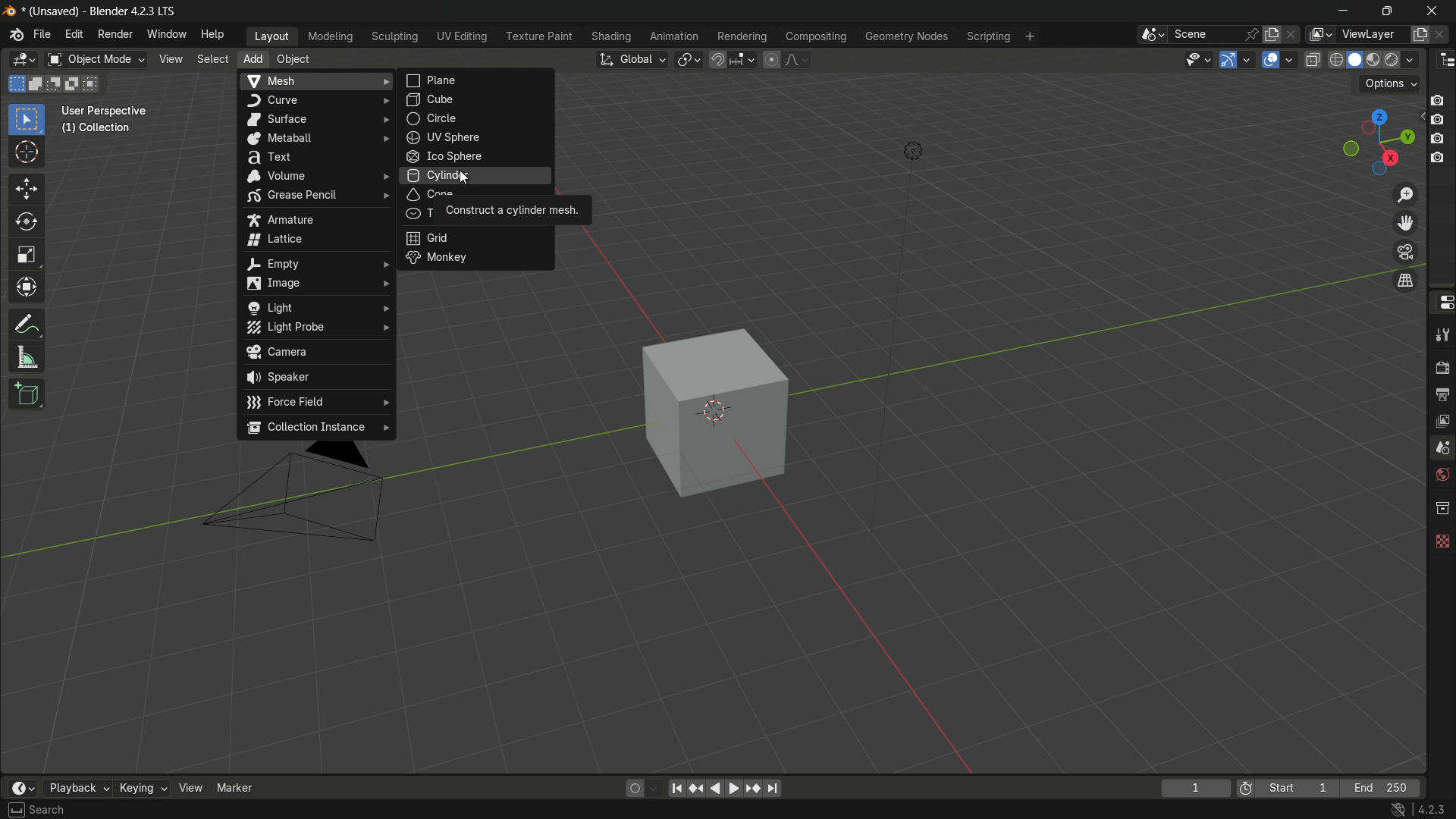  I want to click on circle, so click(474, 118).